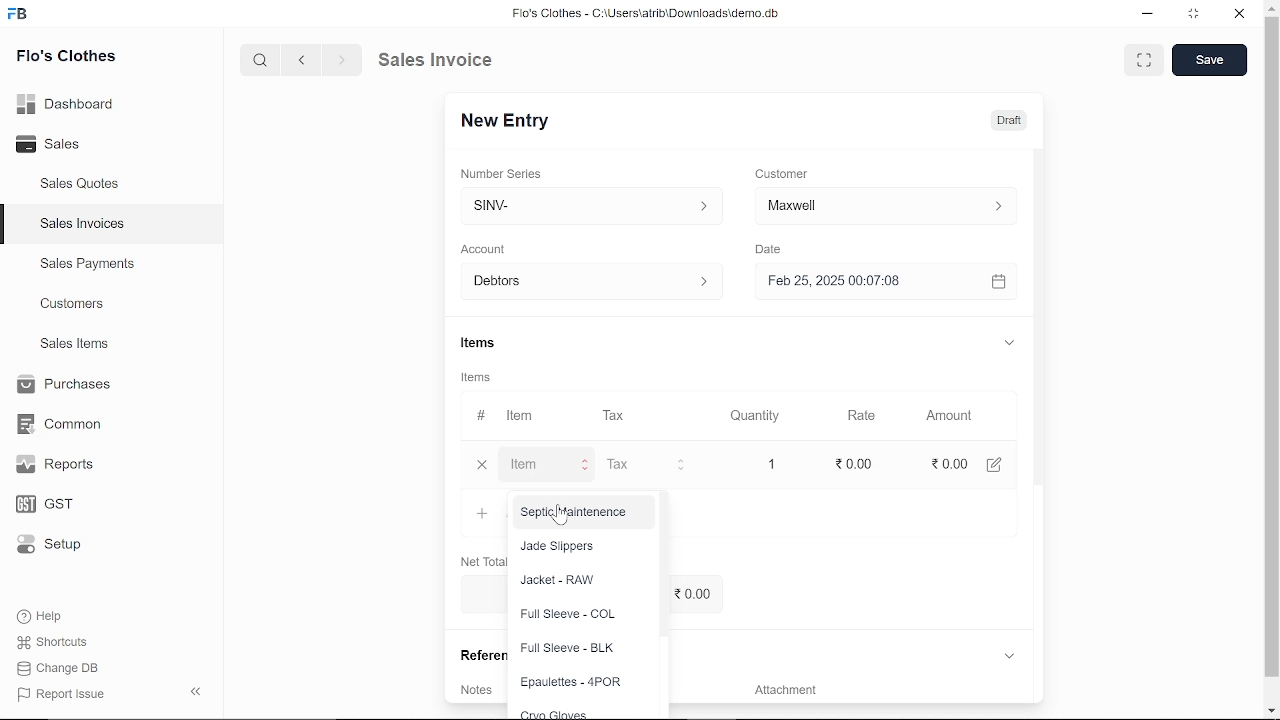 This screenshot has height=720, width=1280. Describe the element at coordinates (1272, 347) in the screenshot. I see `vertical scrollbar` at that location.